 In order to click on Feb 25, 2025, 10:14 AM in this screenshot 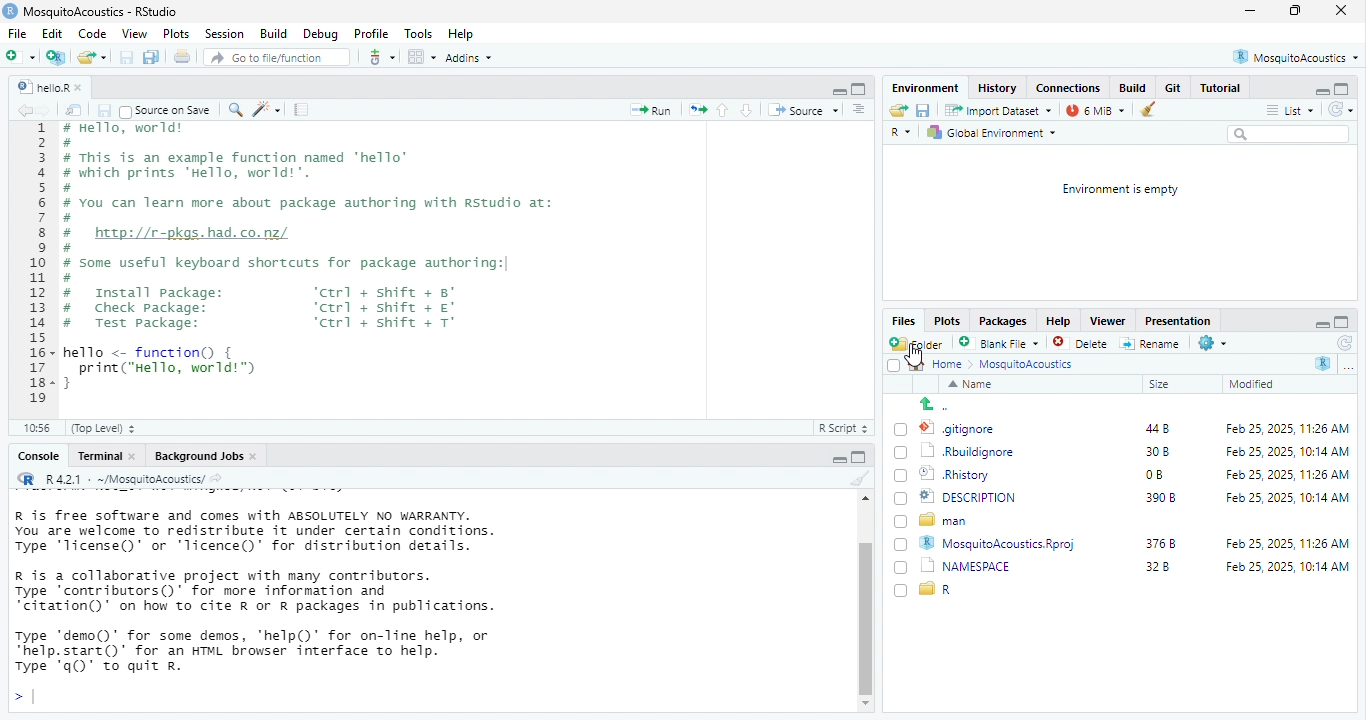, I will do `click(1286, 497)`.